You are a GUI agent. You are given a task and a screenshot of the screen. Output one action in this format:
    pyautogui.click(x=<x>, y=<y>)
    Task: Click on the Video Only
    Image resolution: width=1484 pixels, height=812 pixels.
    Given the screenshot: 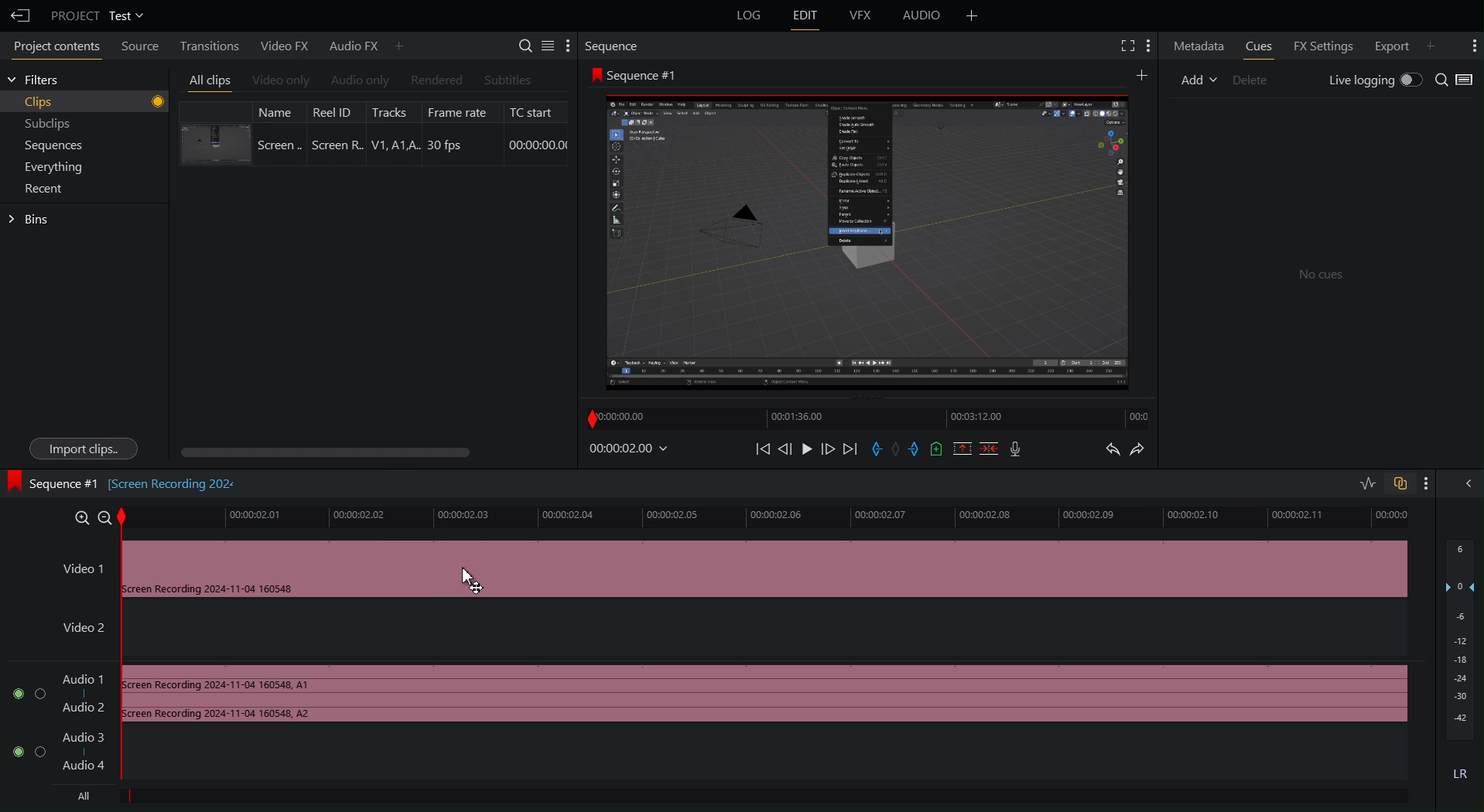 What is the action you would take?
    pyautogui.click(x=281, y=79)
    